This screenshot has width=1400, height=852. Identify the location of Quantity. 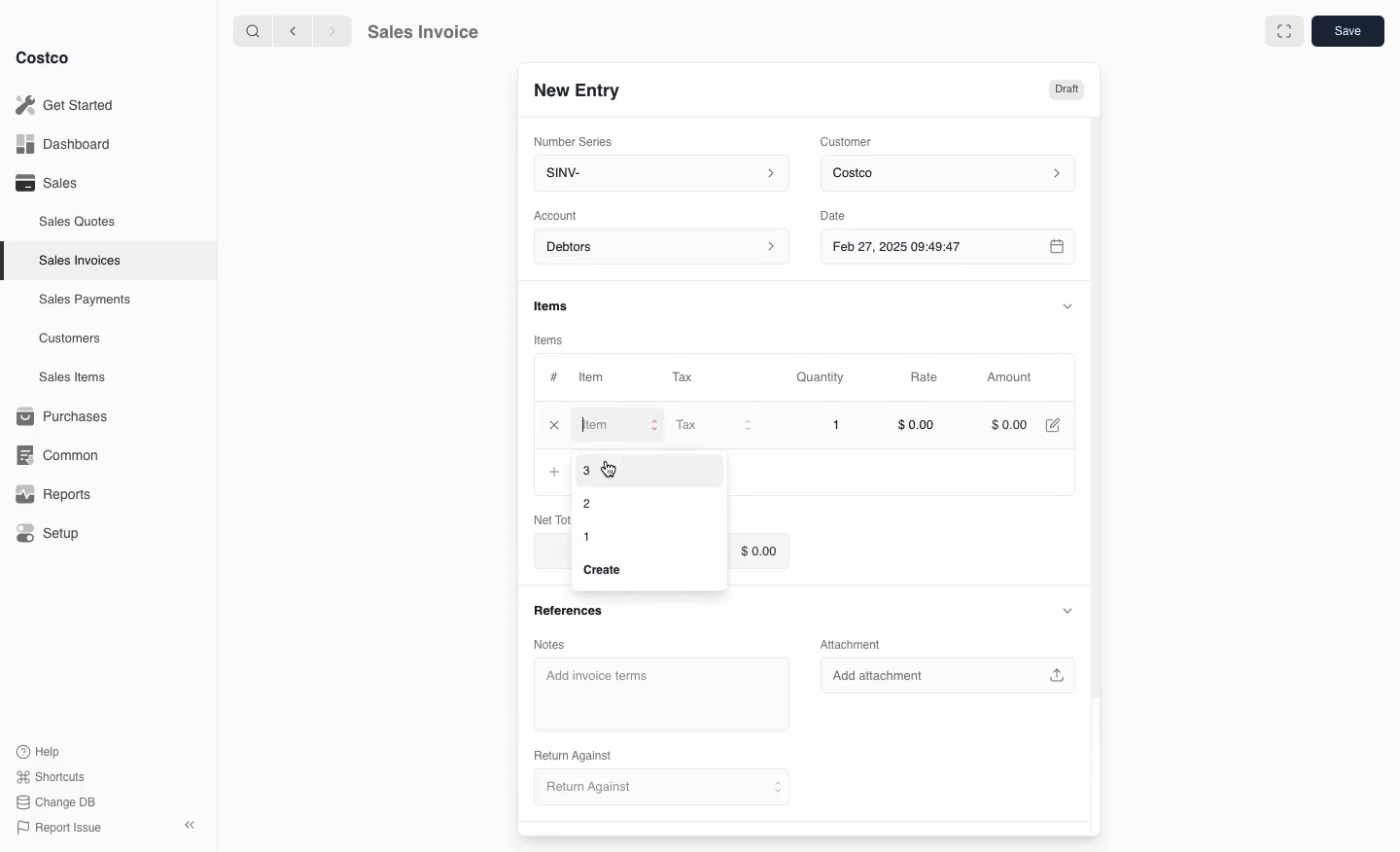
(822, 377).